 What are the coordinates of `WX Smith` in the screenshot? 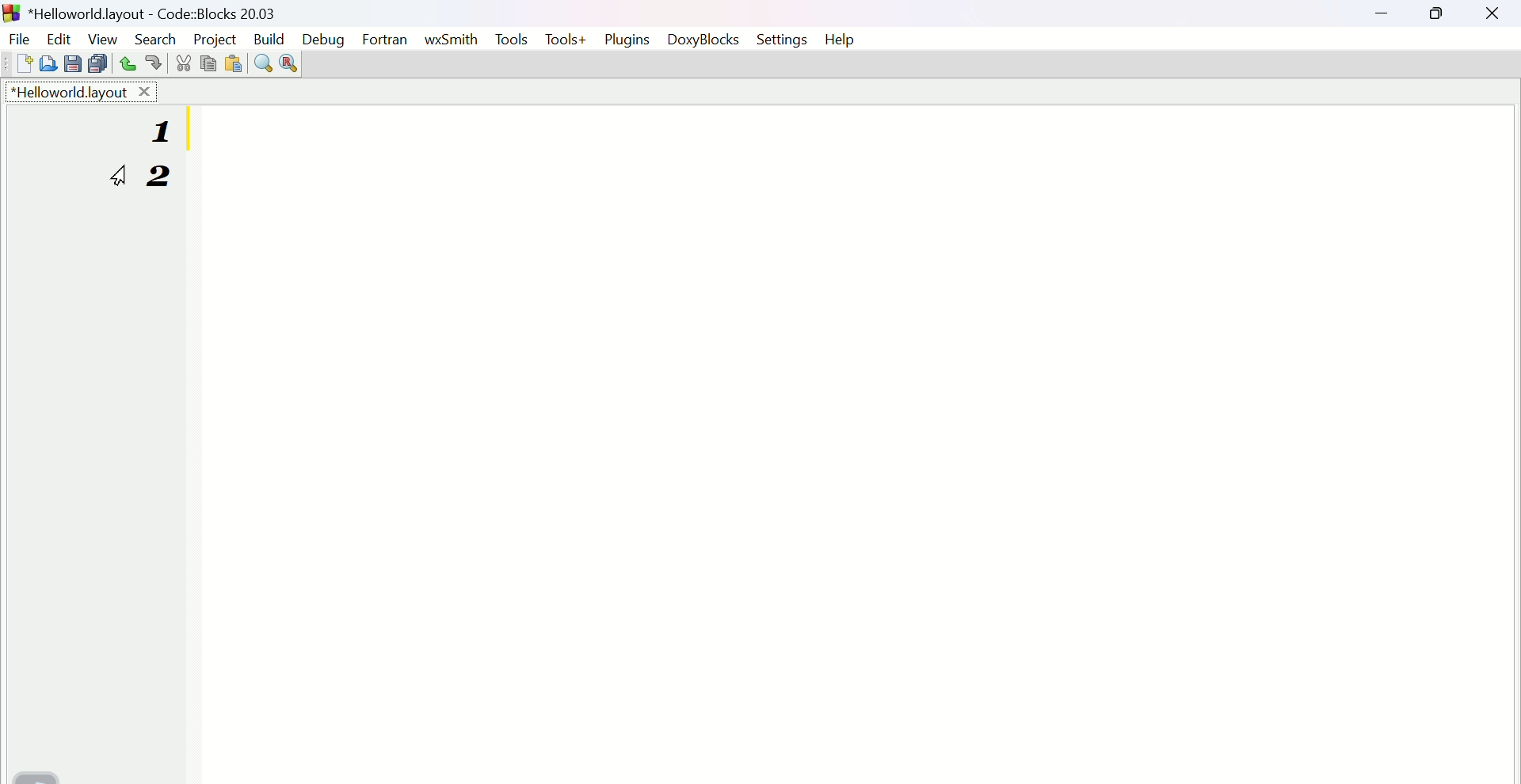 It's located at (451, 37).